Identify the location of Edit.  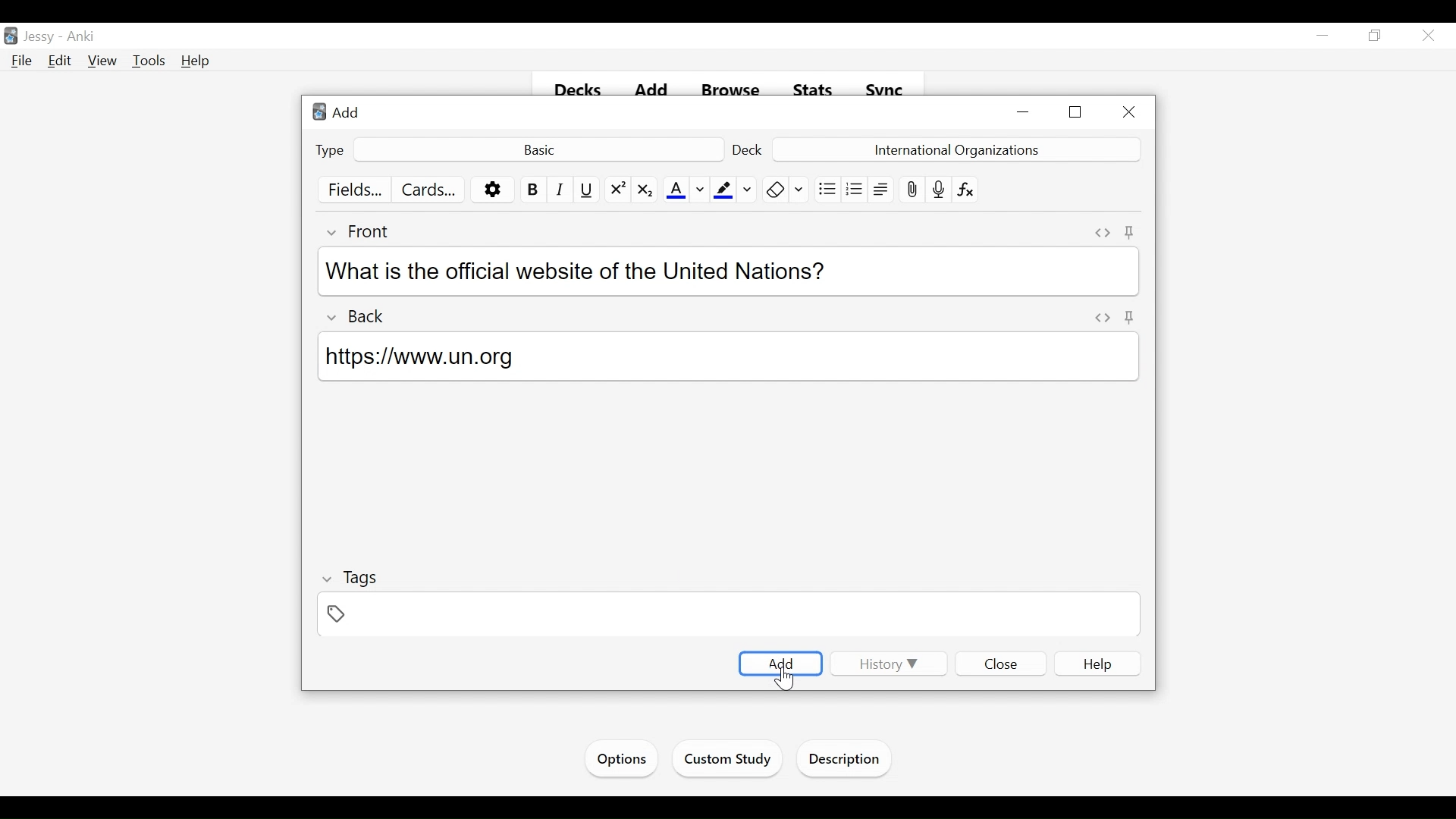
(61, 60).